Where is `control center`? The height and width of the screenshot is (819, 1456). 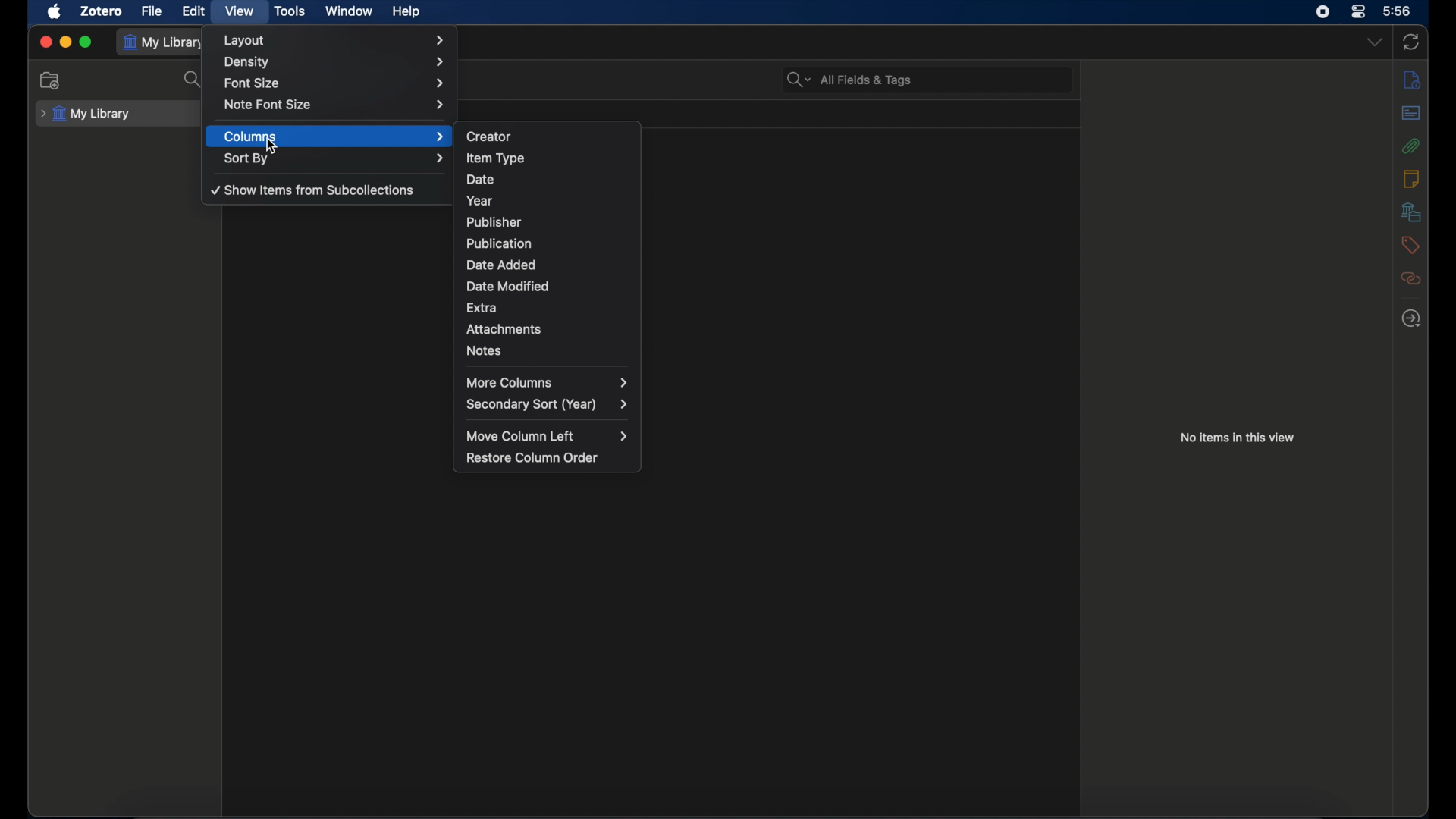
control center is located at coordinates (1357, 11).